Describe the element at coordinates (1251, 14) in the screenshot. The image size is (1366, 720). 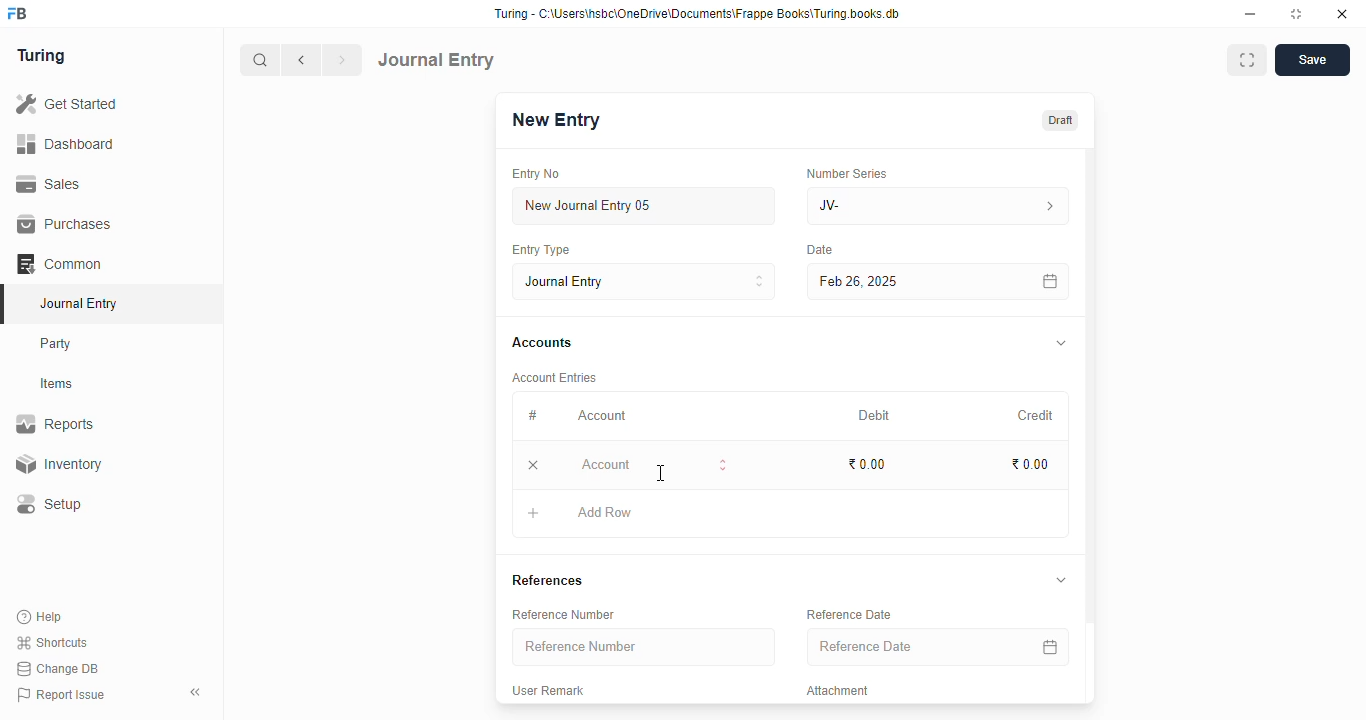
I see `minimize` at that location.